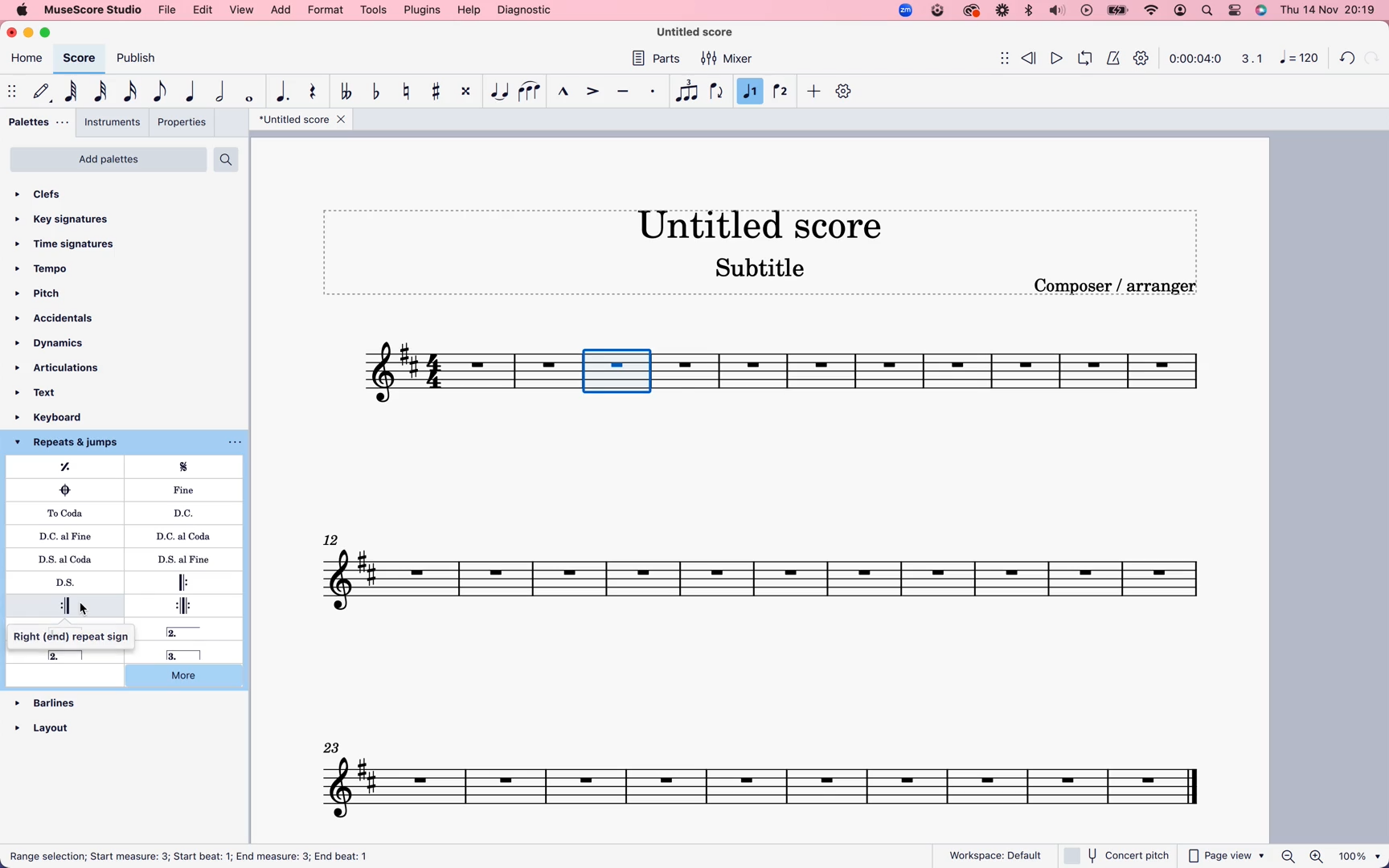 The width and height of the screenshot is (1389, 868). Describe the element at coordinates (14, 31) in the screenshot. I see `close` at that location.